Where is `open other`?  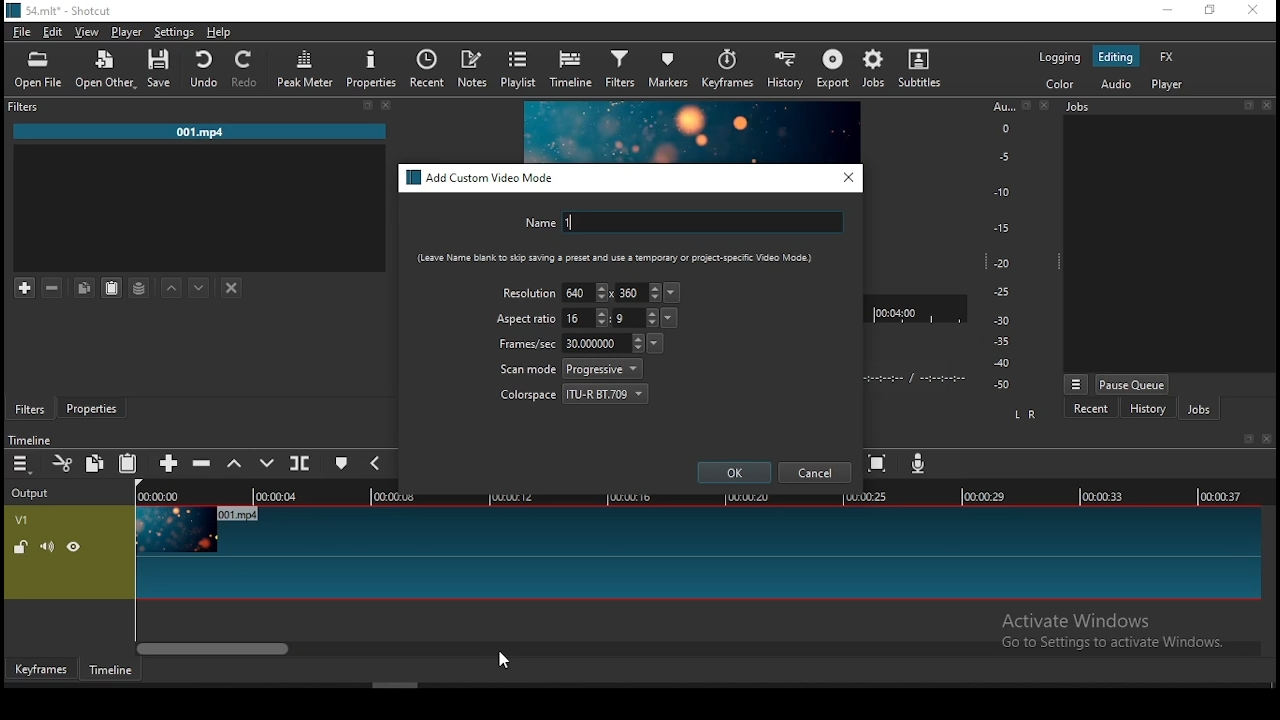 open other is located at coordinates (107, 71).